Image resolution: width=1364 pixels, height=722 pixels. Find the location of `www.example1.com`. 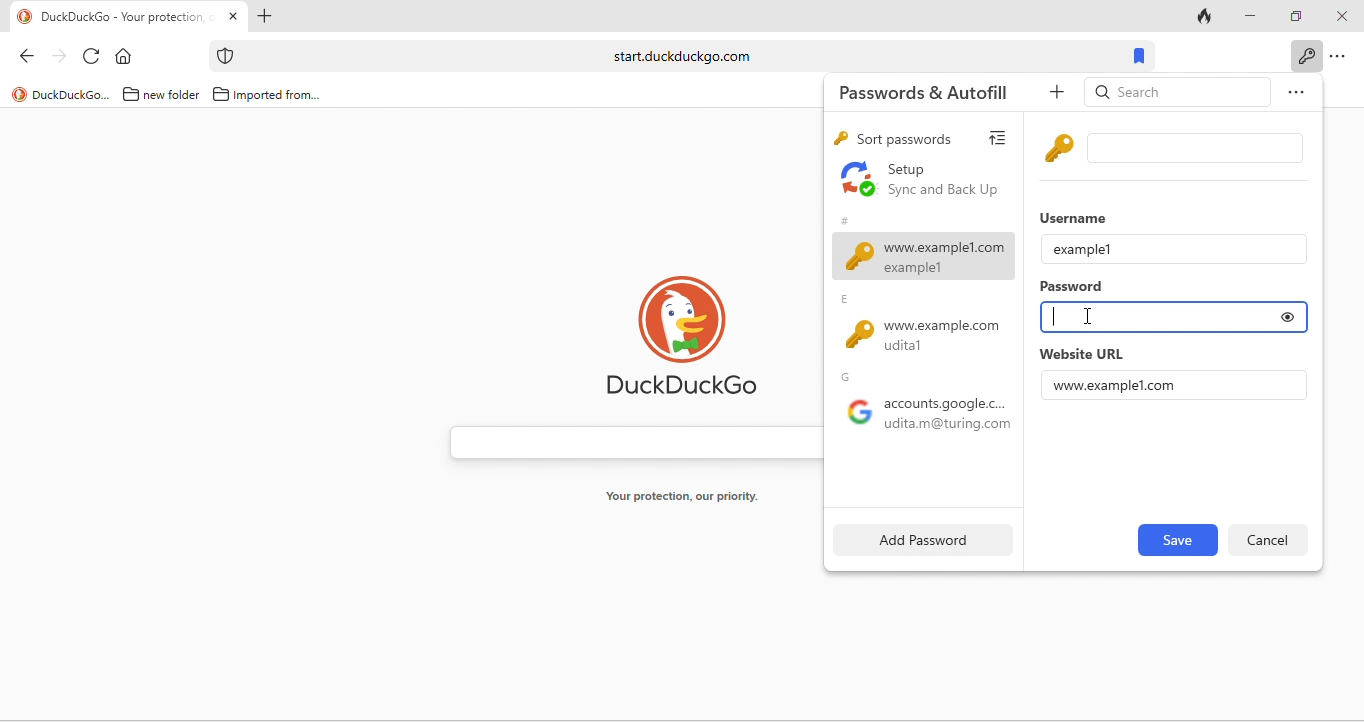

www.example1.com is located at coordinates (1117, 385).